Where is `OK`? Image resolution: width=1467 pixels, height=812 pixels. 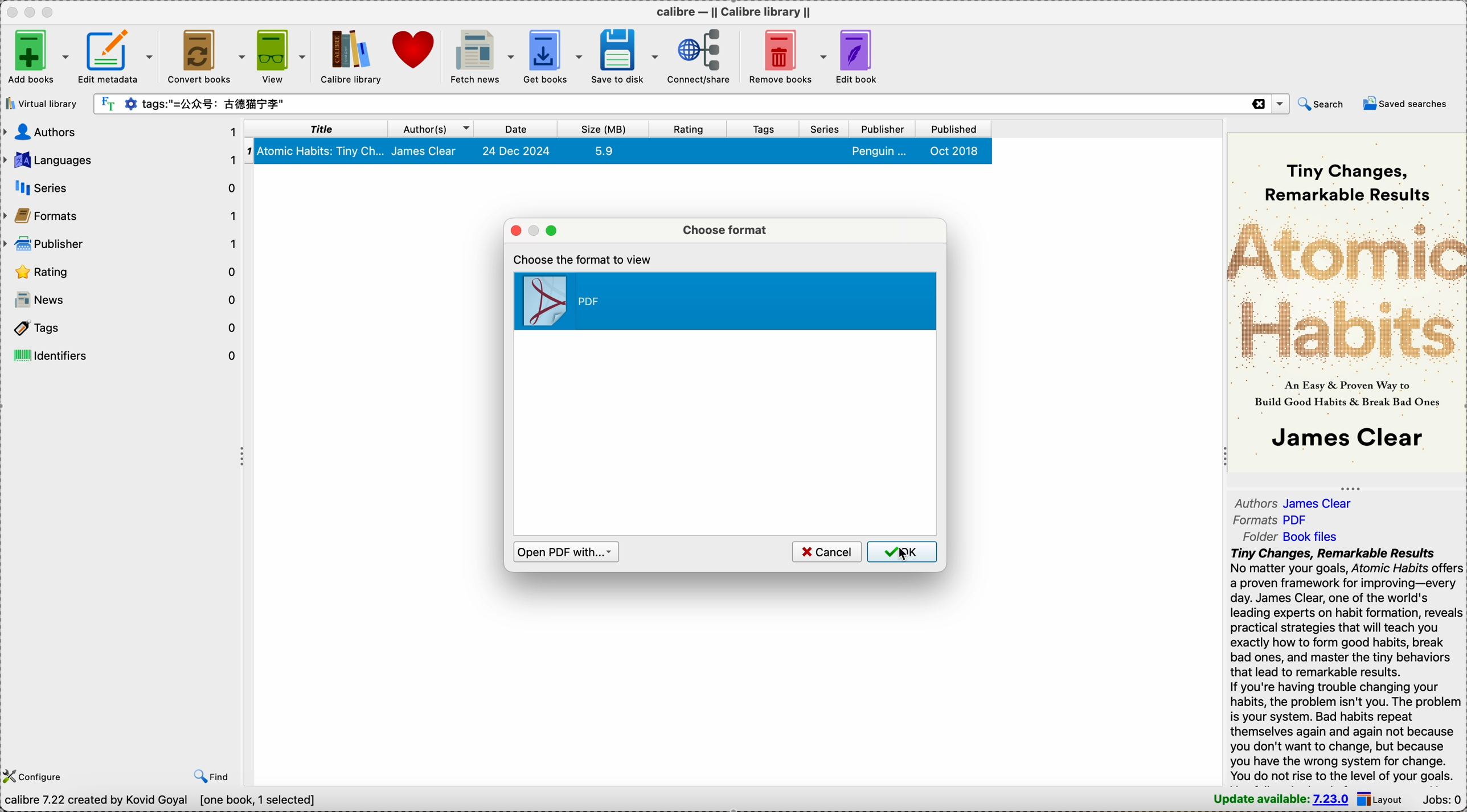
OK is located at coordinates (881, 552).